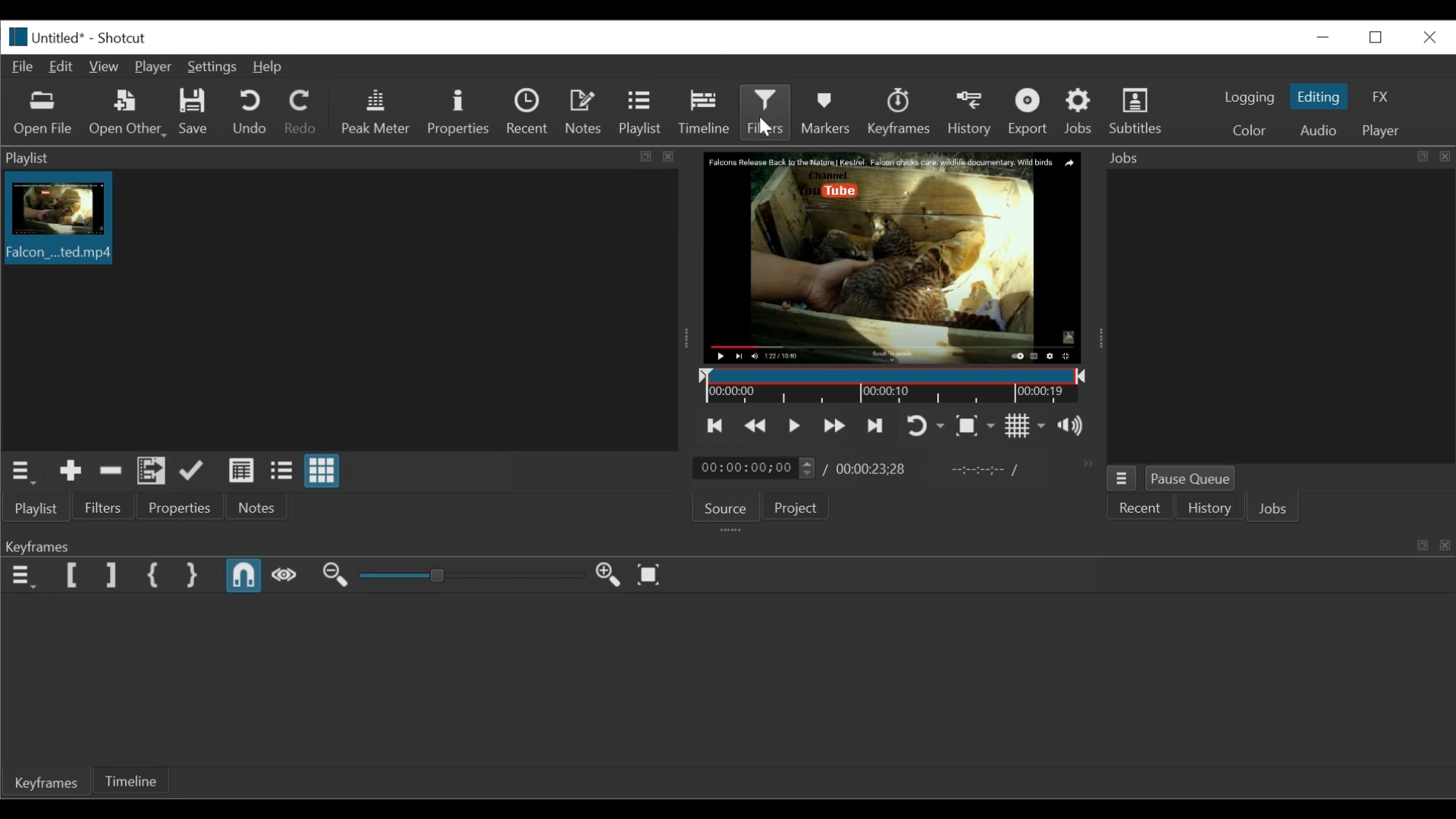  I want to click on Notes, so click(261, 507).